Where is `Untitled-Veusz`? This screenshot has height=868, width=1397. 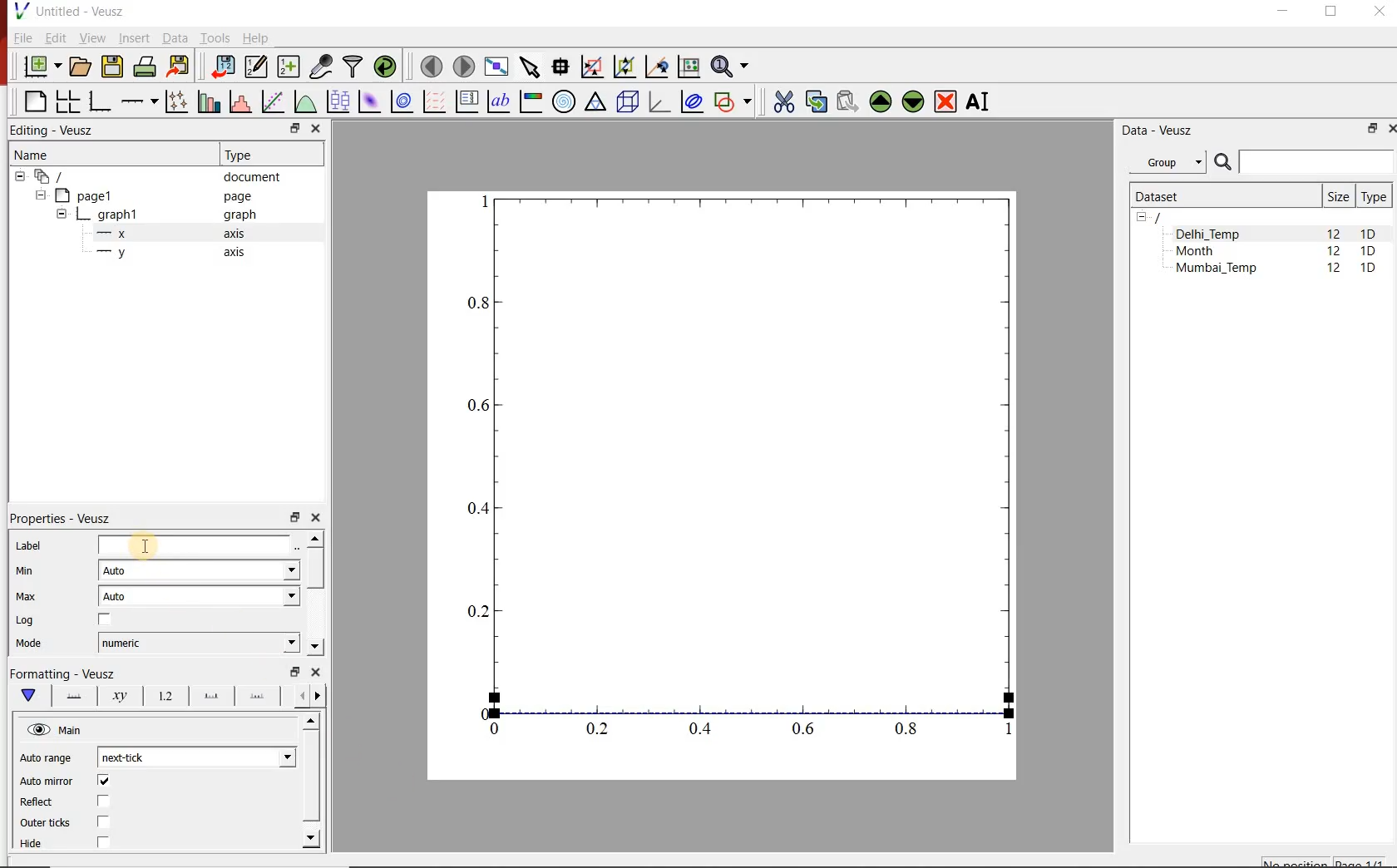
Untitled-Veusz is located at coordinates (74, 11).